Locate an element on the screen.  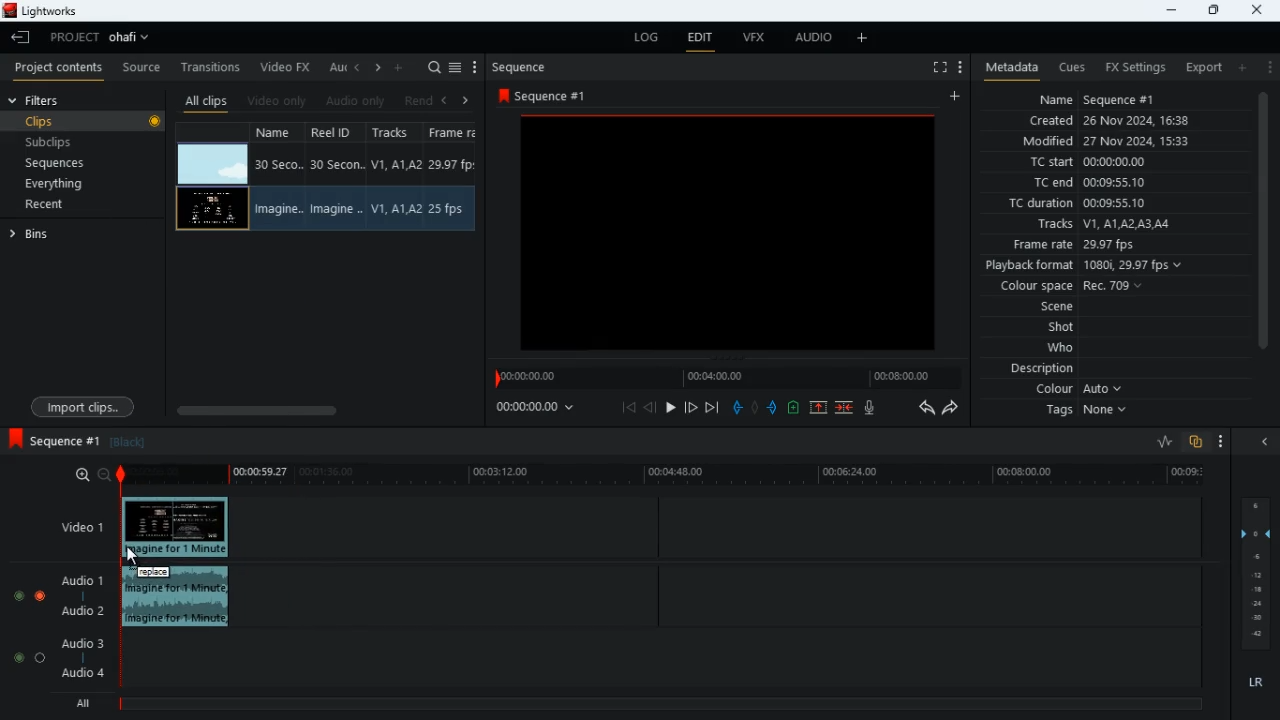
menu is located at coordinates (457, 65).